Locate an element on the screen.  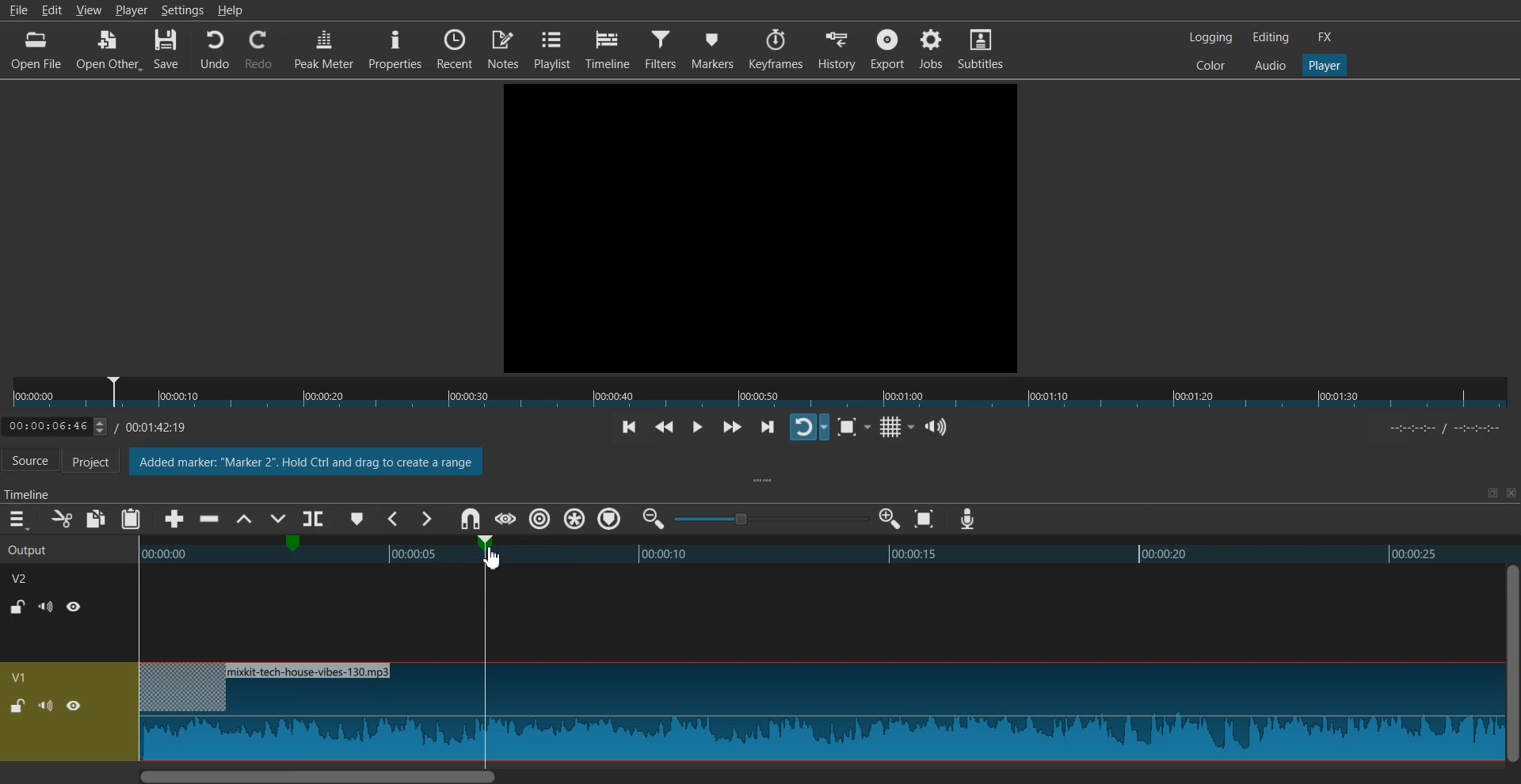
Zoom timeline out is located at coordinates (654, 518).